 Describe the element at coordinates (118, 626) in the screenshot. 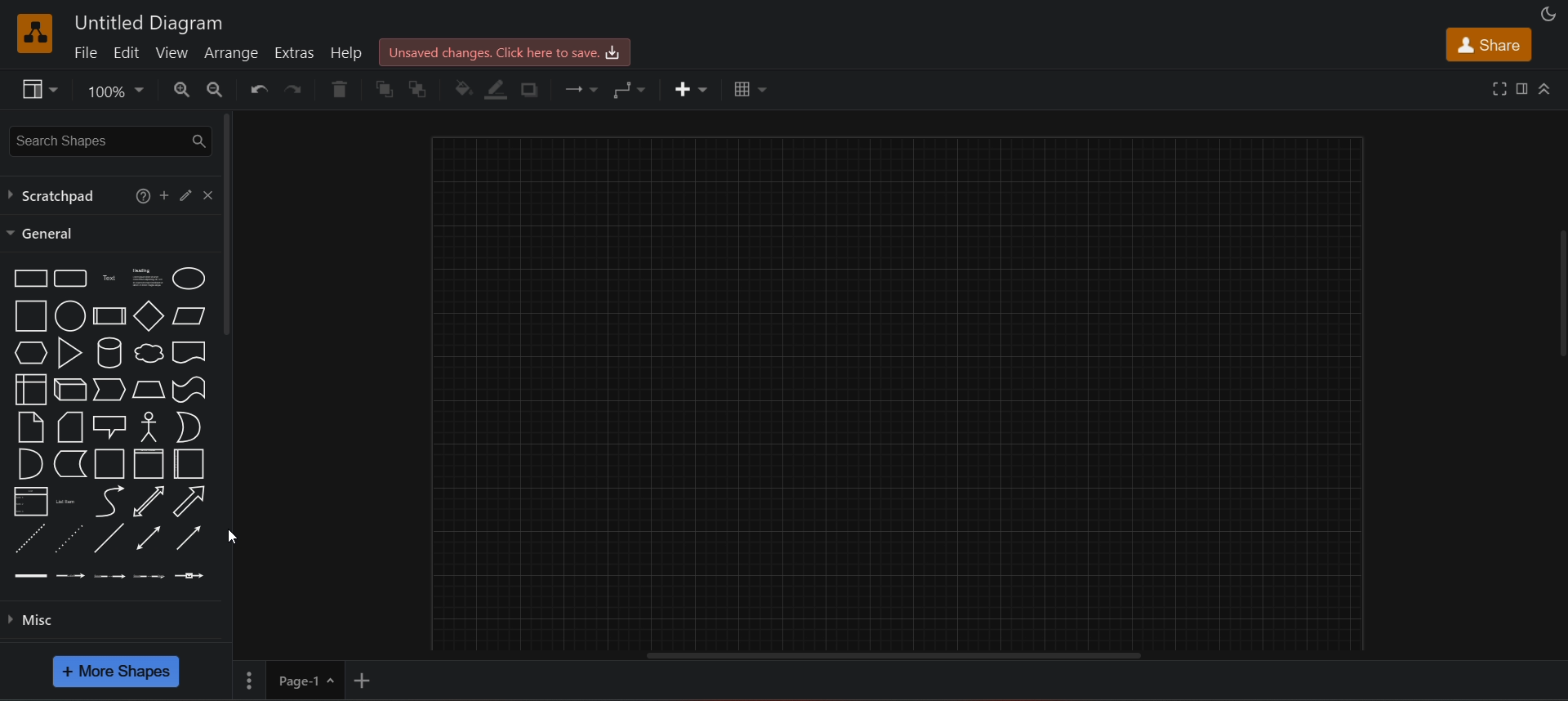

I see `misc` at that location.